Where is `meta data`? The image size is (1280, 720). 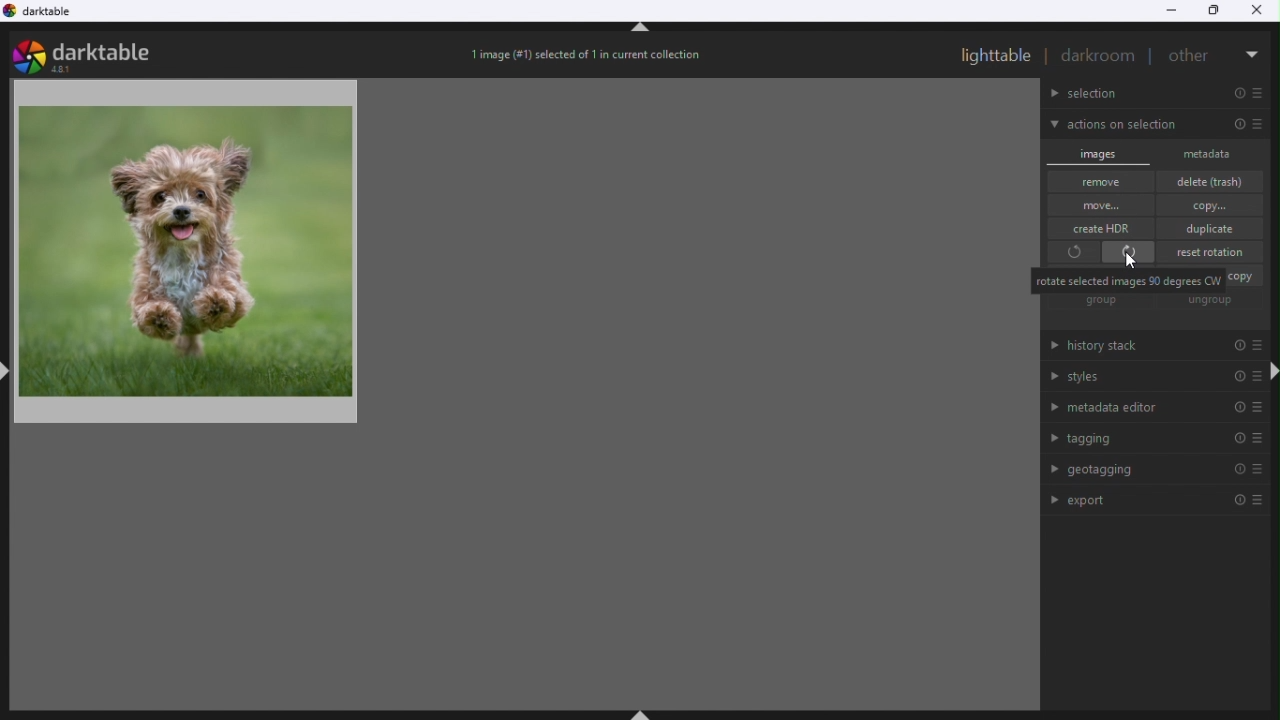 meta data is located at coordinates (1215, 153).